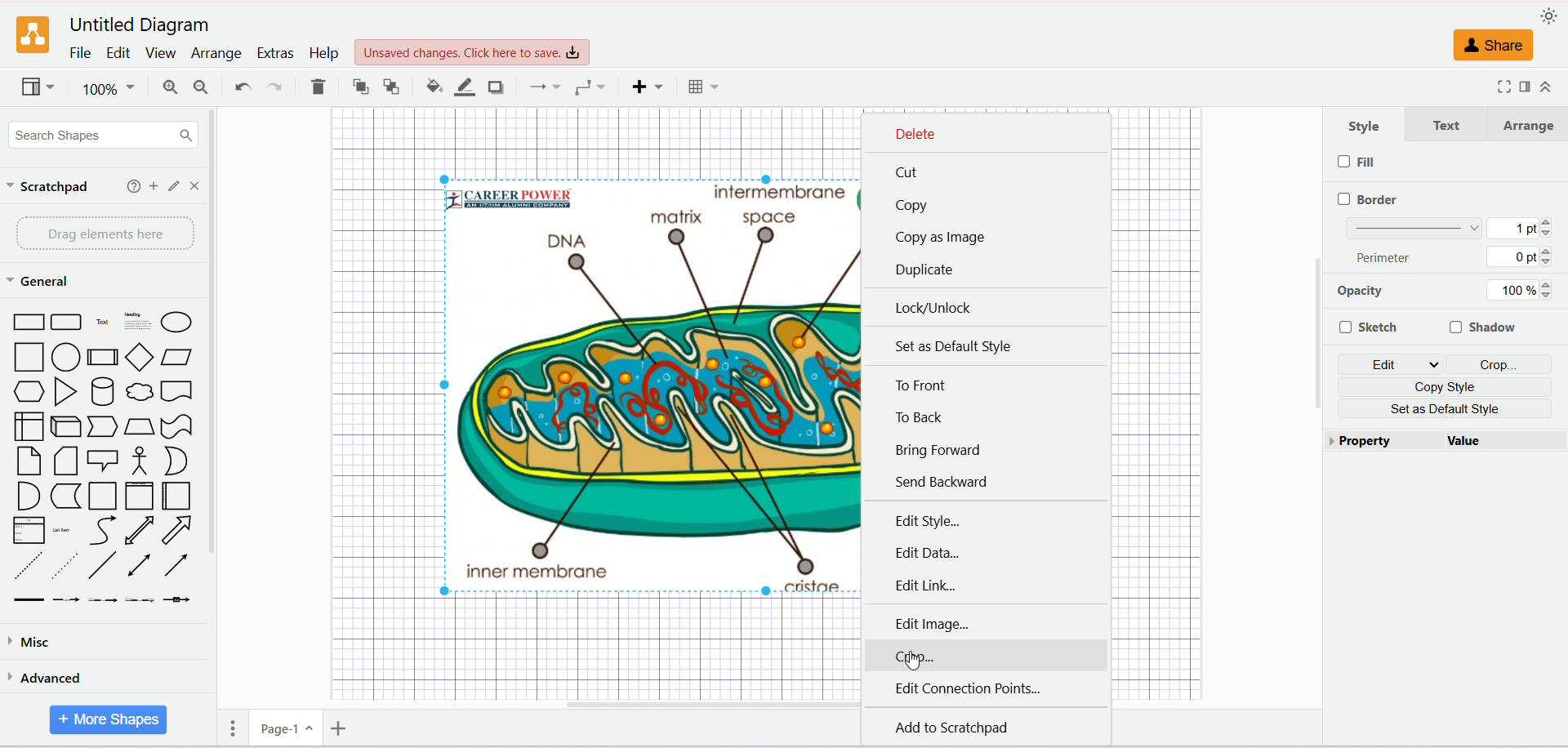 This screenshot has width=1568, height=748. I want to click on Line, so click(104, 568).